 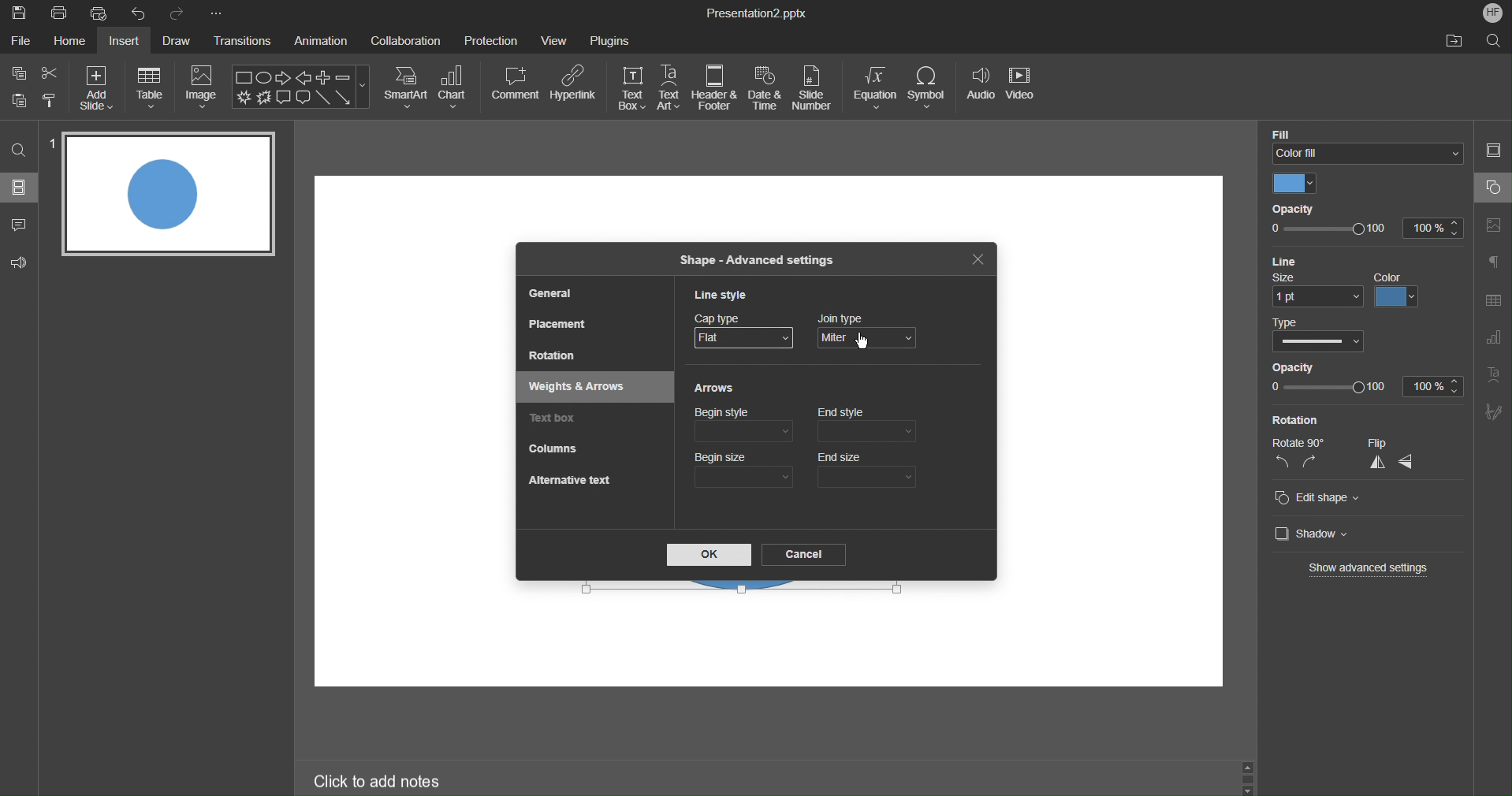 I want to click on Shape Menu, so click(x=300, y=87).